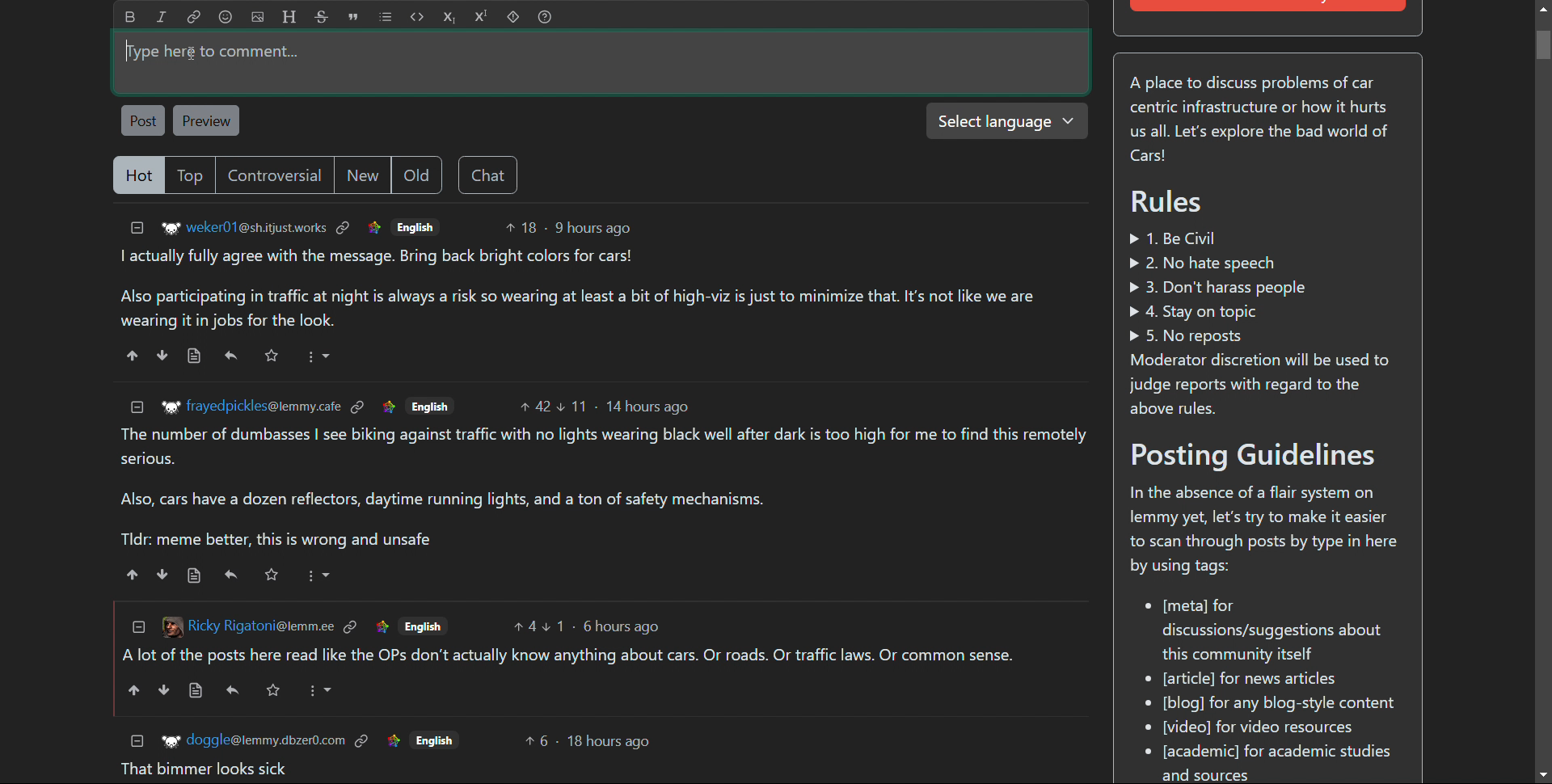  Describe the element at coordinates (449, 17) in the screenshot. I see `subscript` at that location.